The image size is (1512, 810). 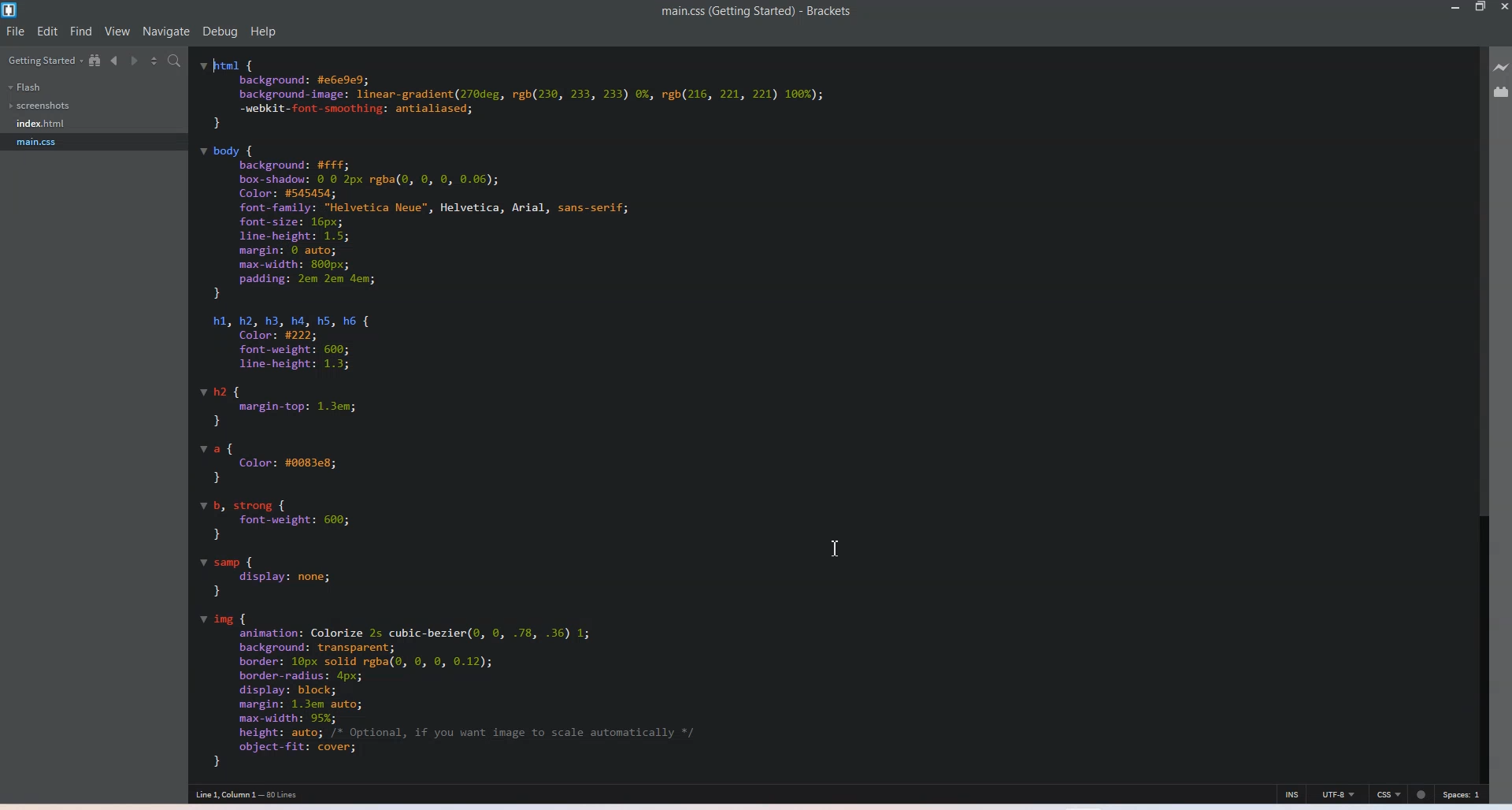 What do you see at coordinates (1481, 411) in the screenshot?
I see `Vertical Scroll bar` at bounding box center [1481, 411].